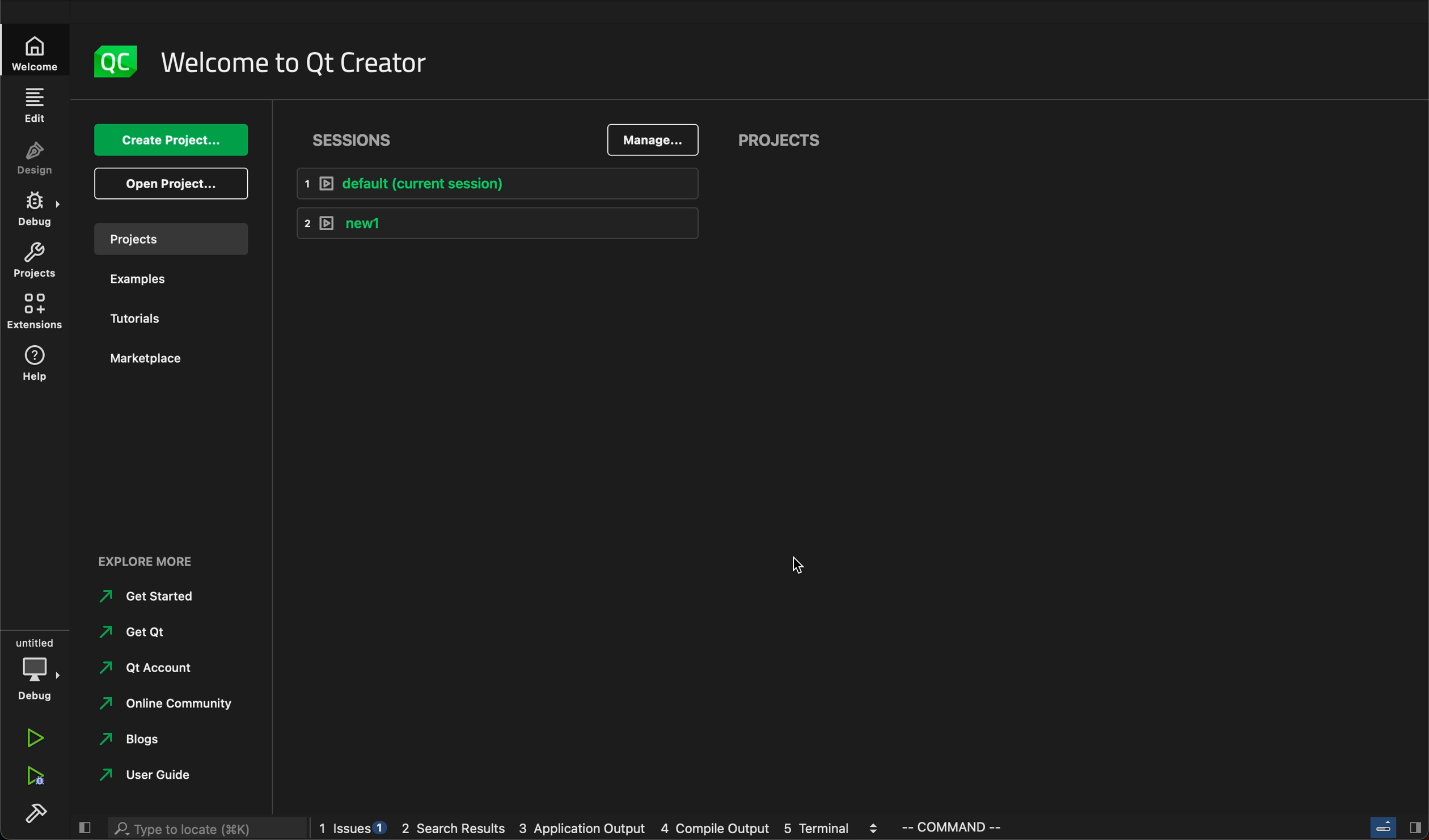 The width and height of the screenshot is (1429, 840). Describe the element at coordinates (138, 740) in the screenshot. I see `blogs` at that location.